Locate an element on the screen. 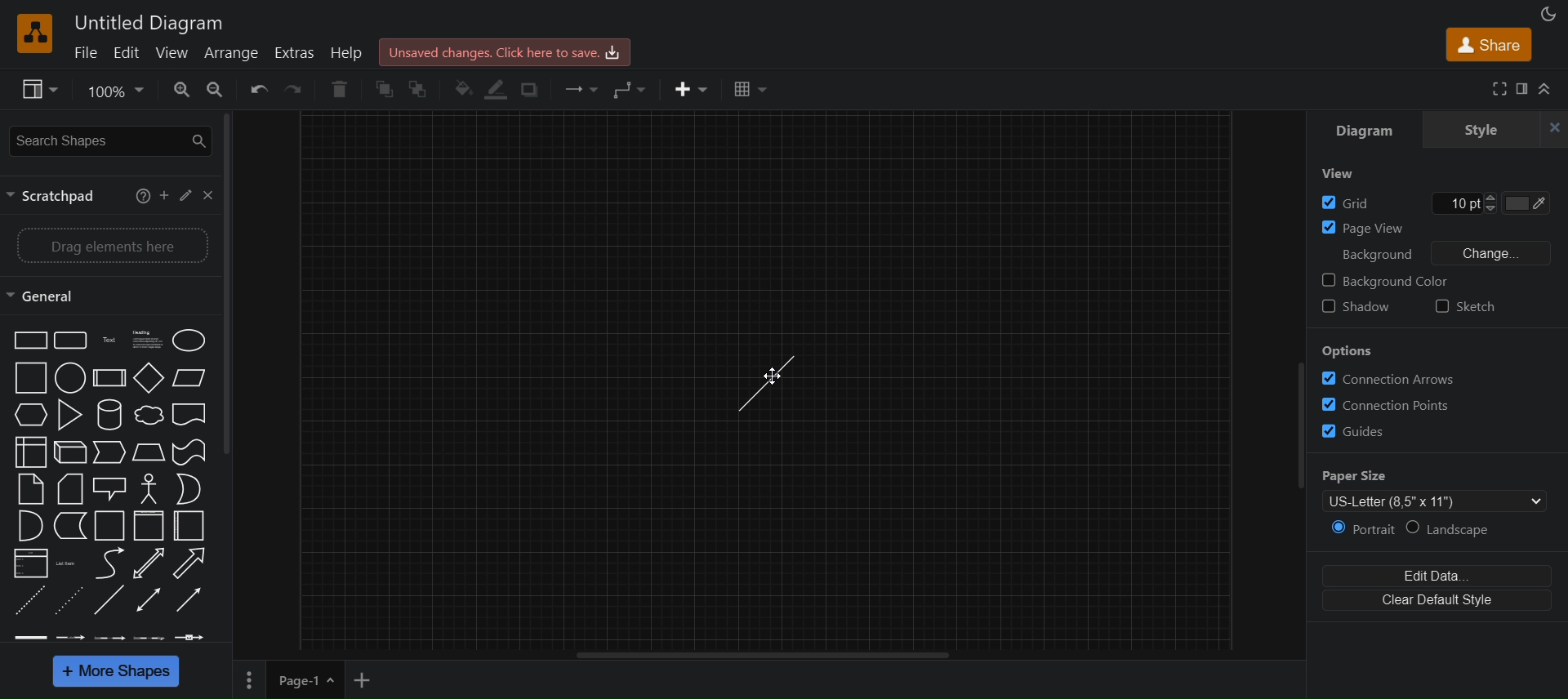 This screenshot has height=699, width=1568. Text box is located at coordinates (144, 339).